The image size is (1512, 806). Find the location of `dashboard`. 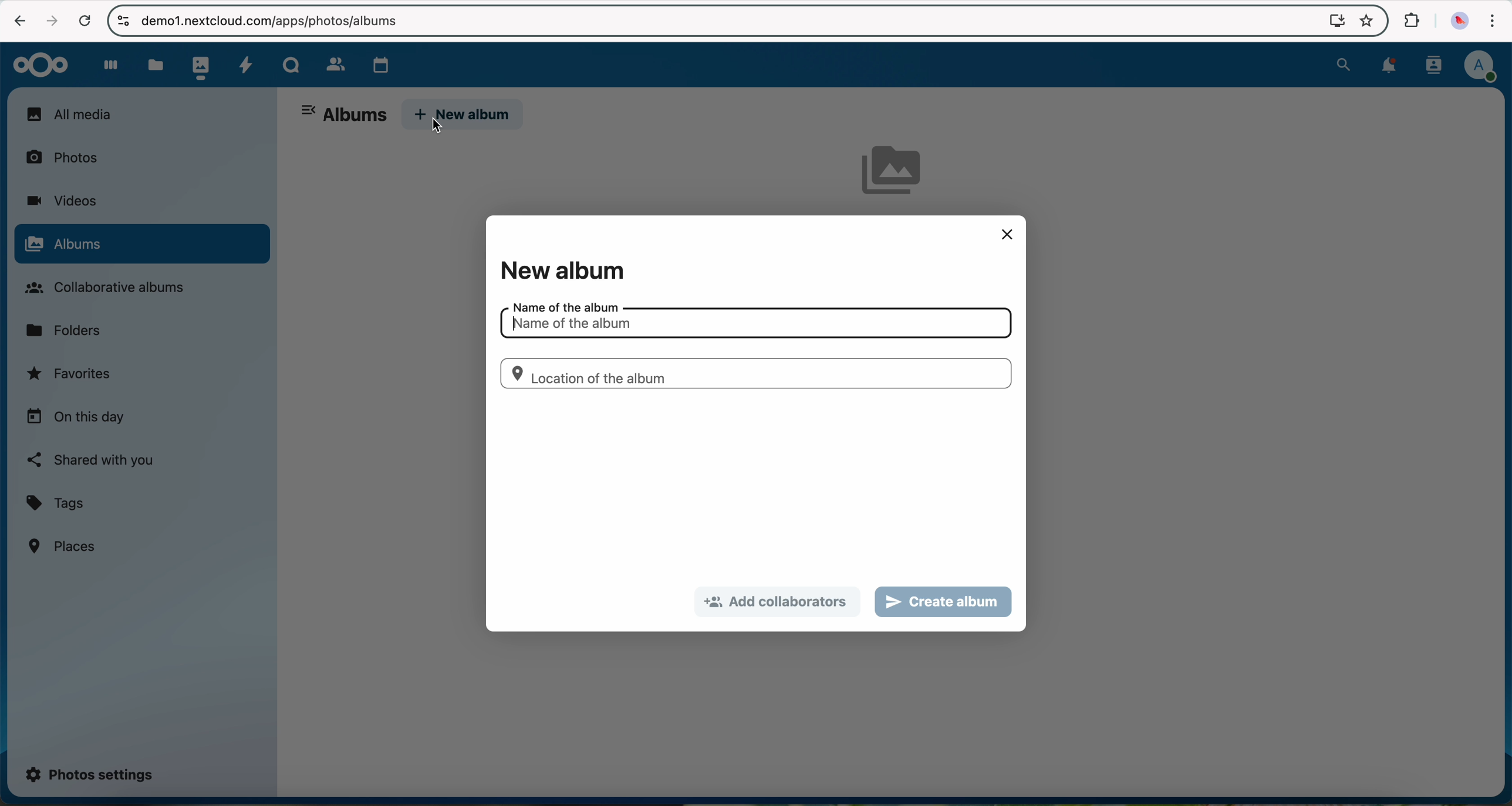

dashboard is located at coordinates (105, 65).